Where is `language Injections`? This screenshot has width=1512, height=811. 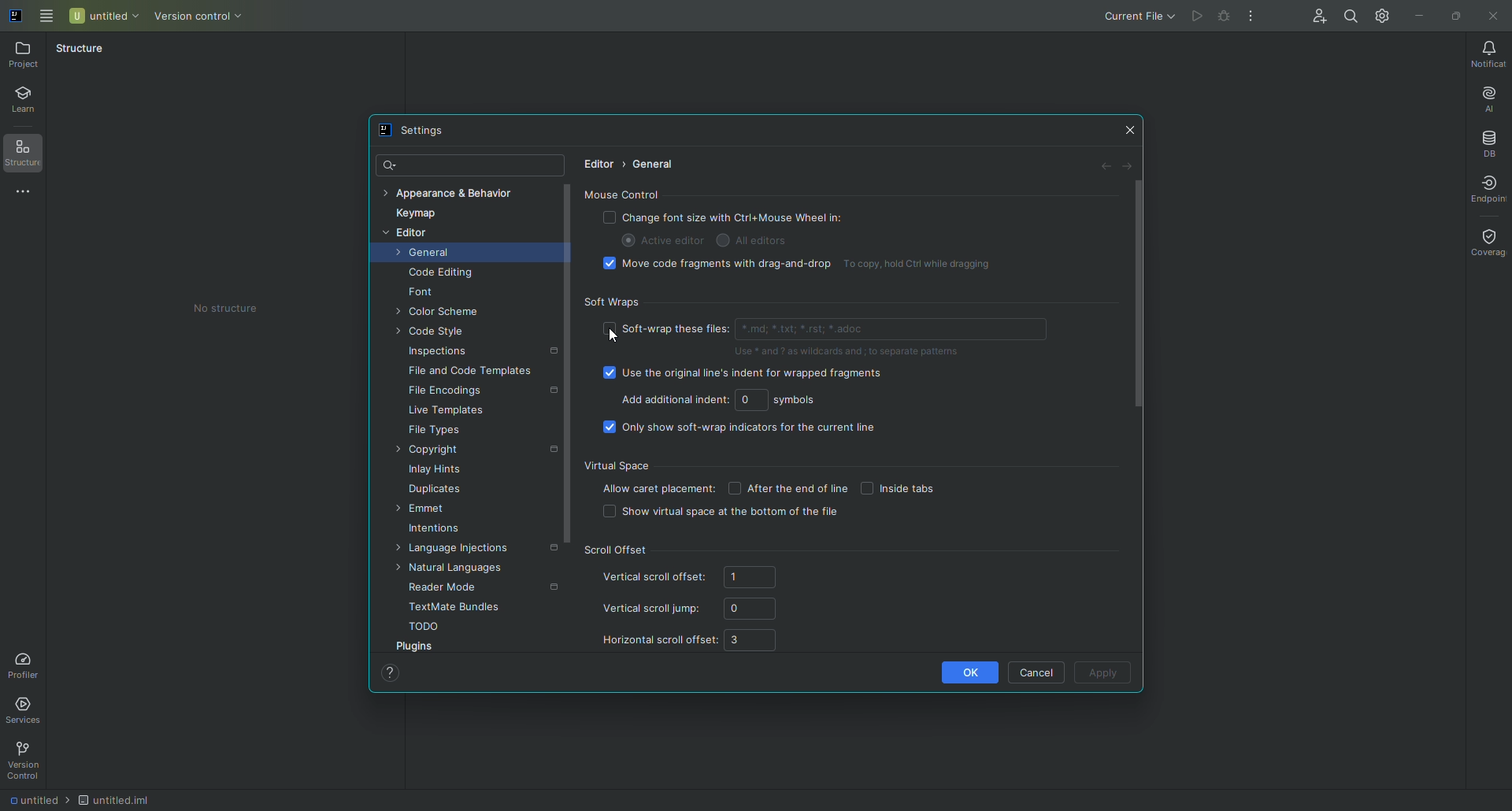
language Injections is located at coordinates (465, 551).